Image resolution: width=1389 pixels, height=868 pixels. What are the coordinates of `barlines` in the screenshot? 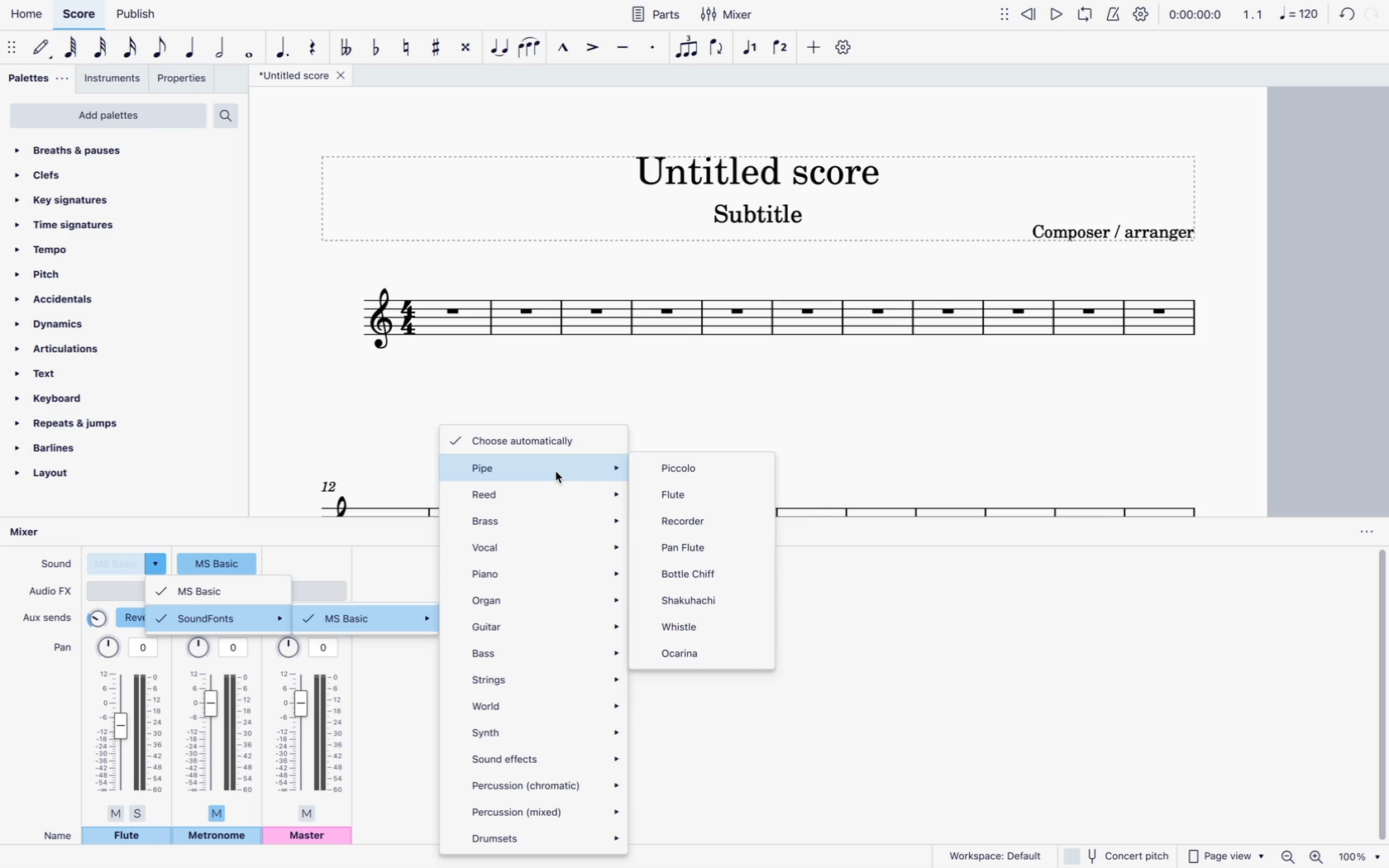 It's located at (69, 451).